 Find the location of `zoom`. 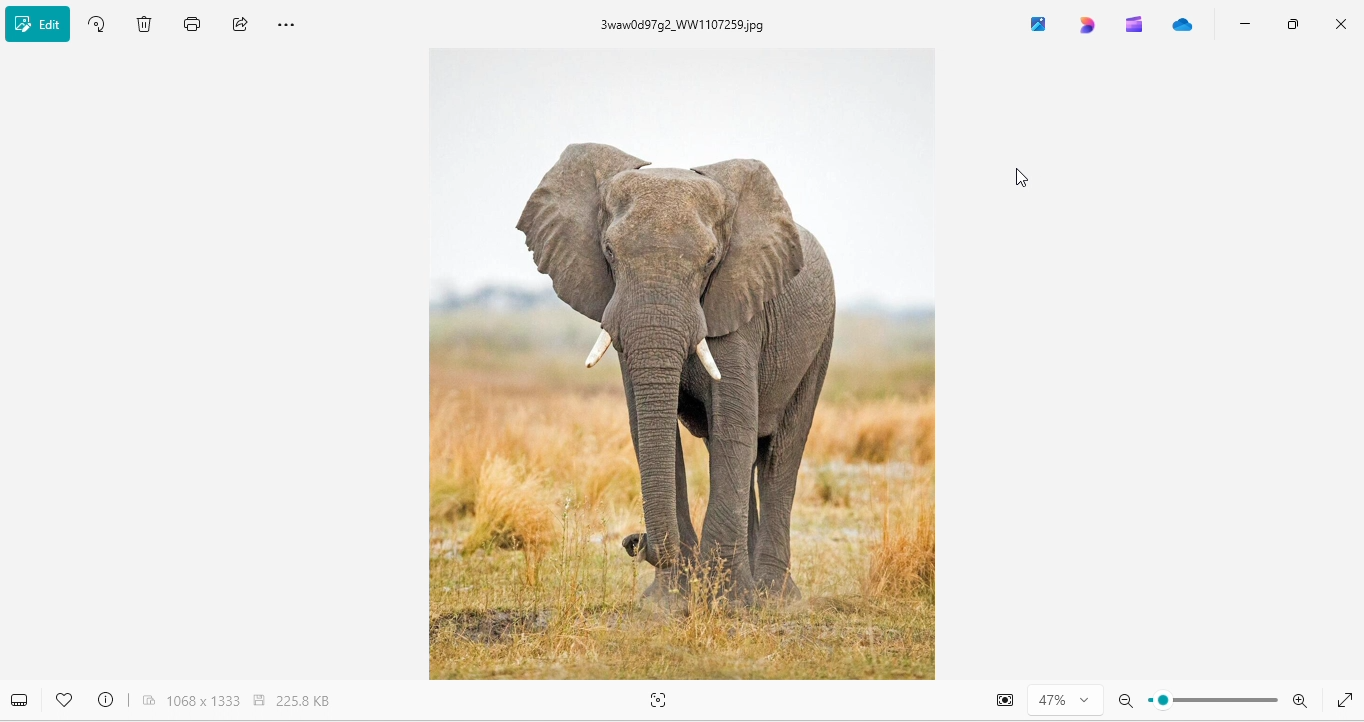

zoom is located at coordinates (1220, 699).